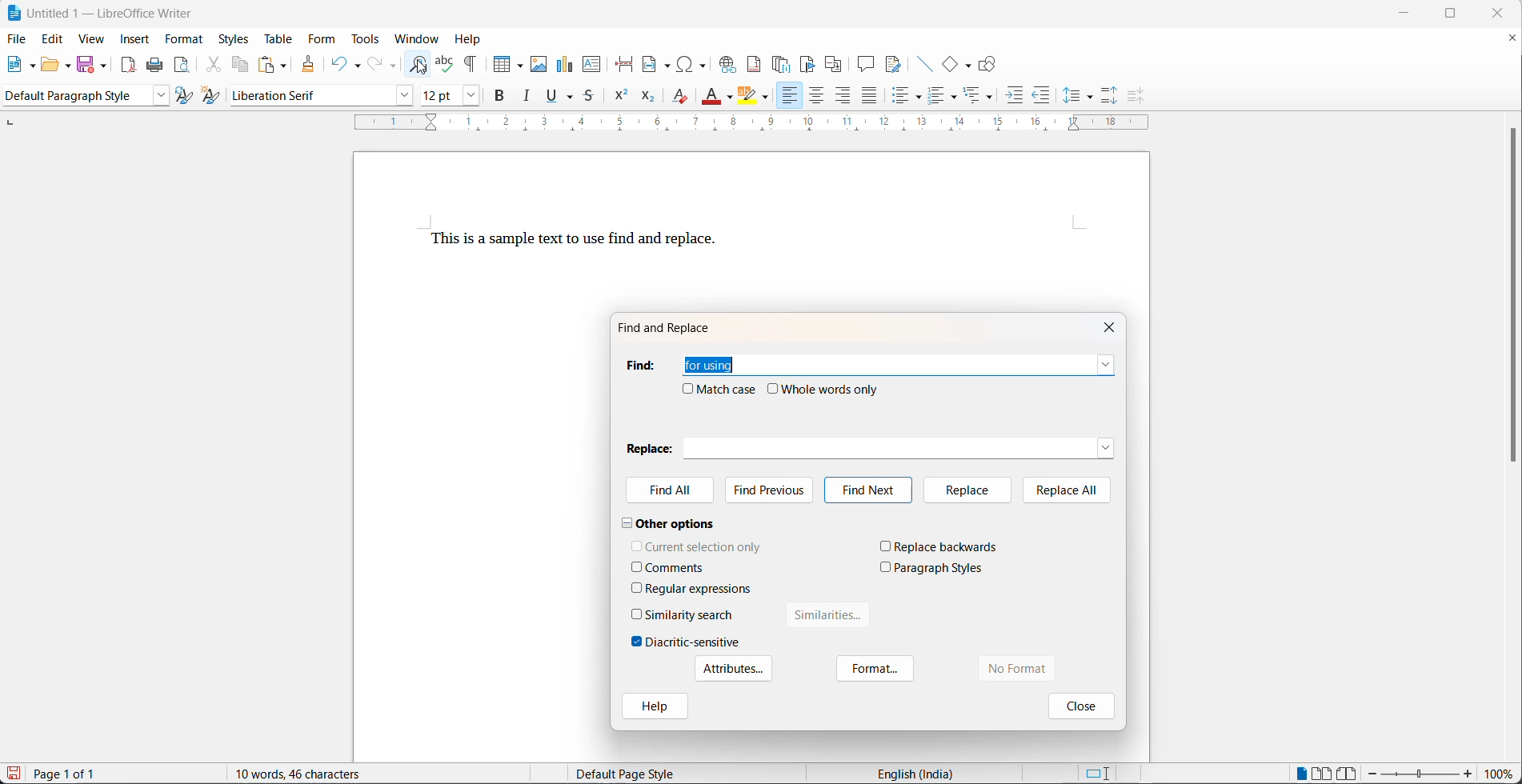 The width and height of the screenshot is (1522, 784). I want to click on toggle ordered list, so click(938, 97).